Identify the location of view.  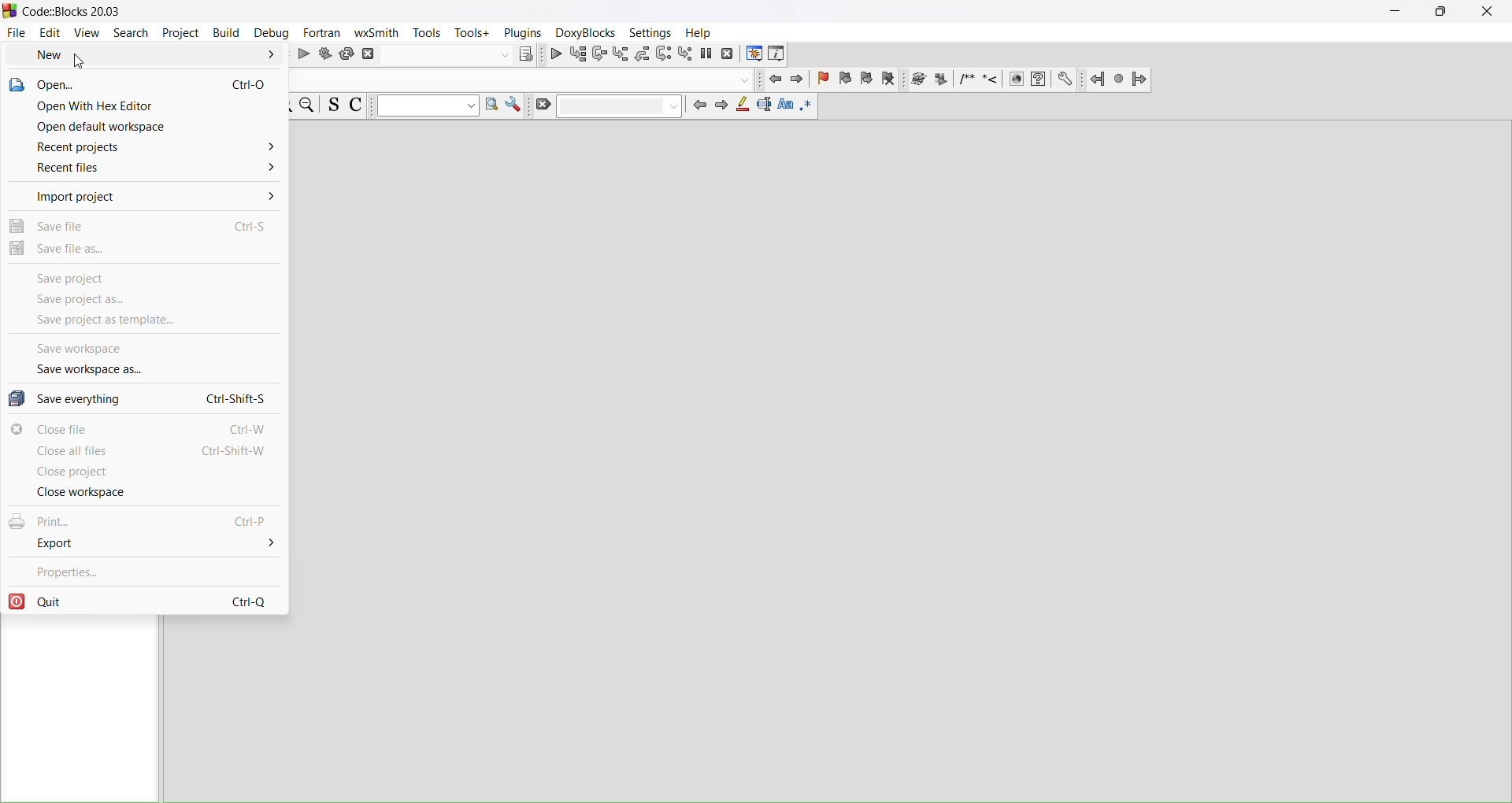
(89, 34).